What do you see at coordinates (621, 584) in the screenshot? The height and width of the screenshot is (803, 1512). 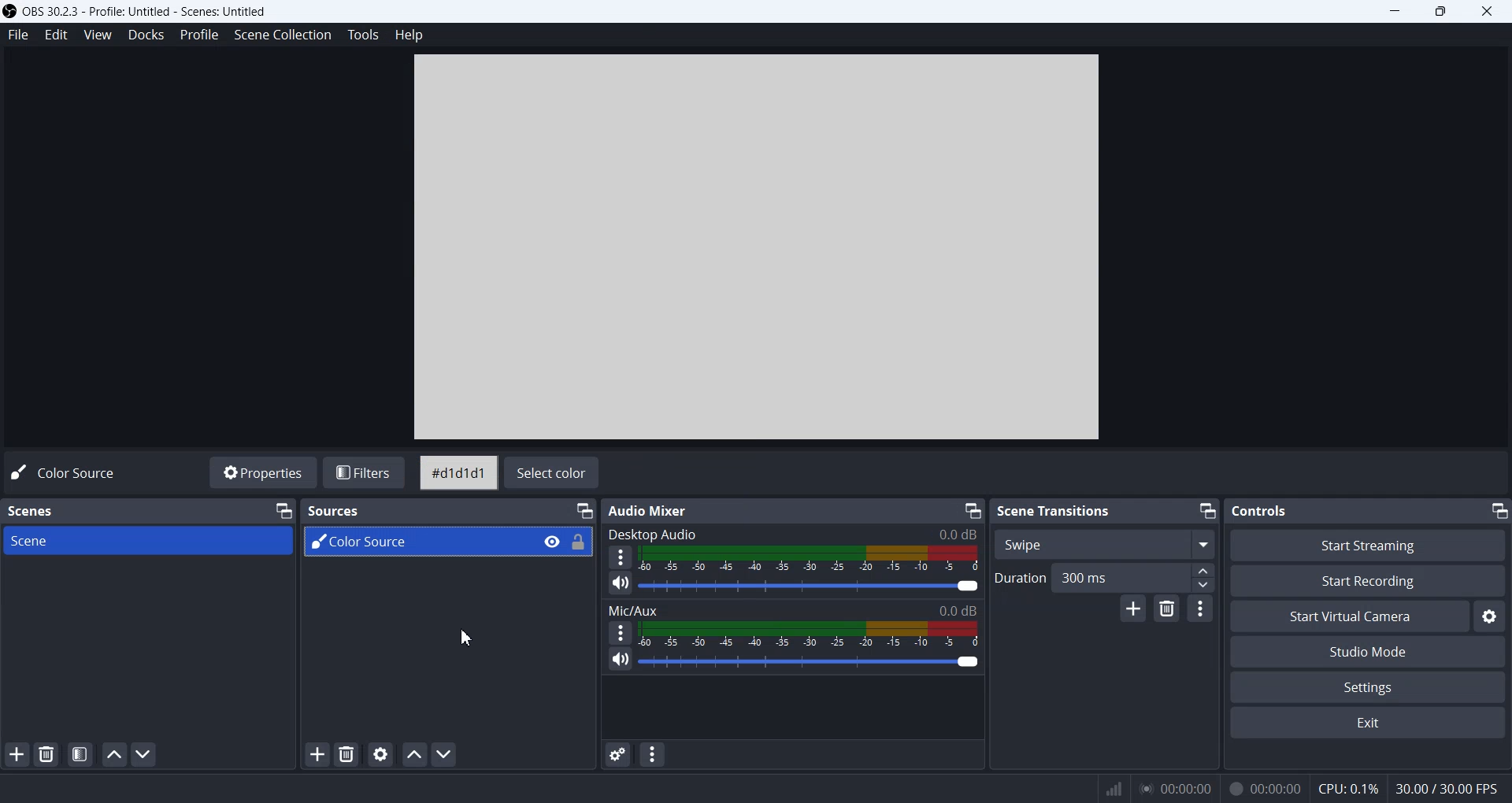 I see `Mute/ Unmute` at bounding box center [621, 584].